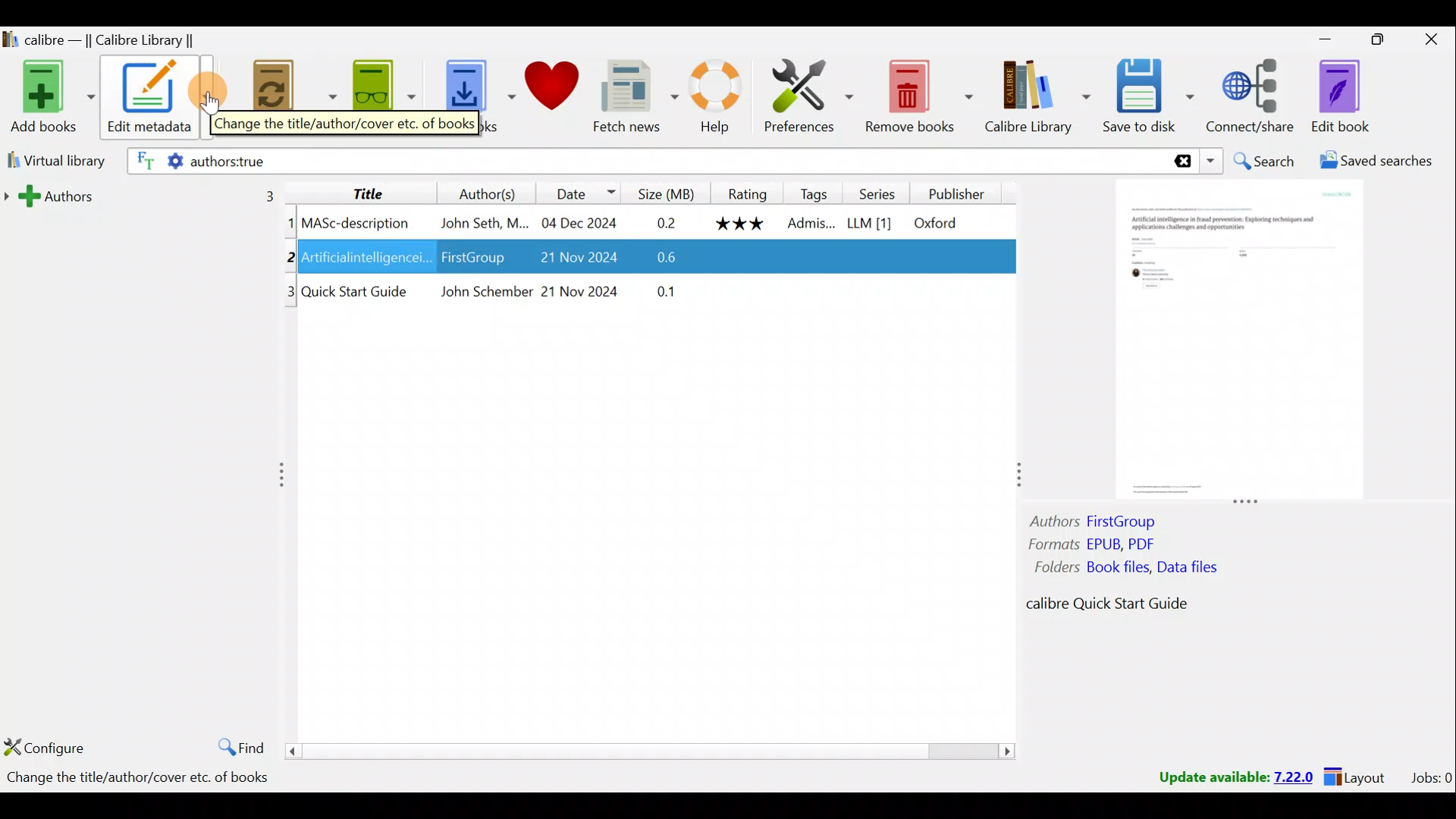 The width and height of the screenshot is (1456, 819). Describe the element at coordinates (343, 122) in the screenshot. I see `Change the title/author/cover etc. of books` at that location.